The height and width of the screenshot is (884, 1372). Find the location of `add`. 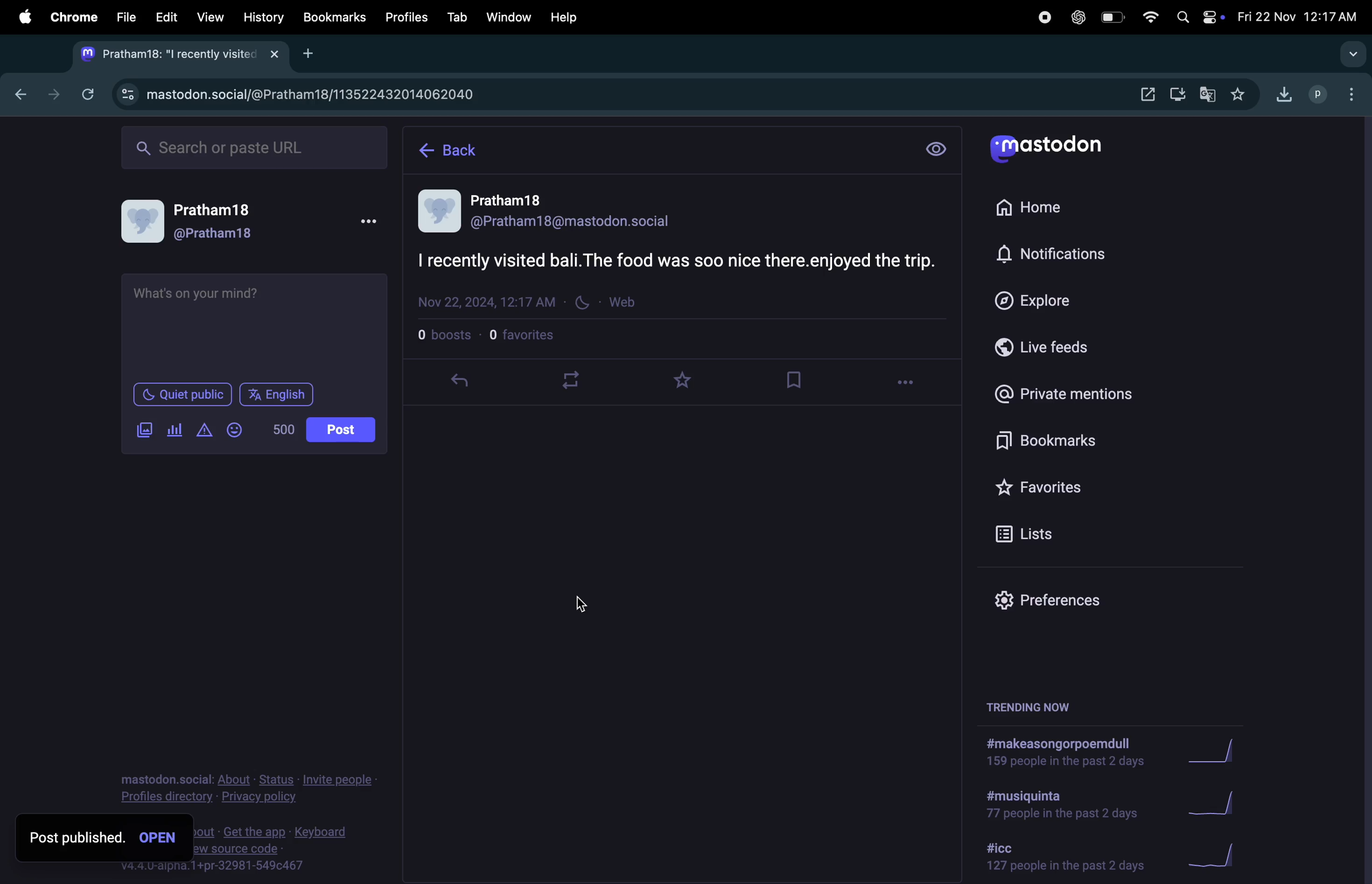

add is located at coordinates (308, 55).